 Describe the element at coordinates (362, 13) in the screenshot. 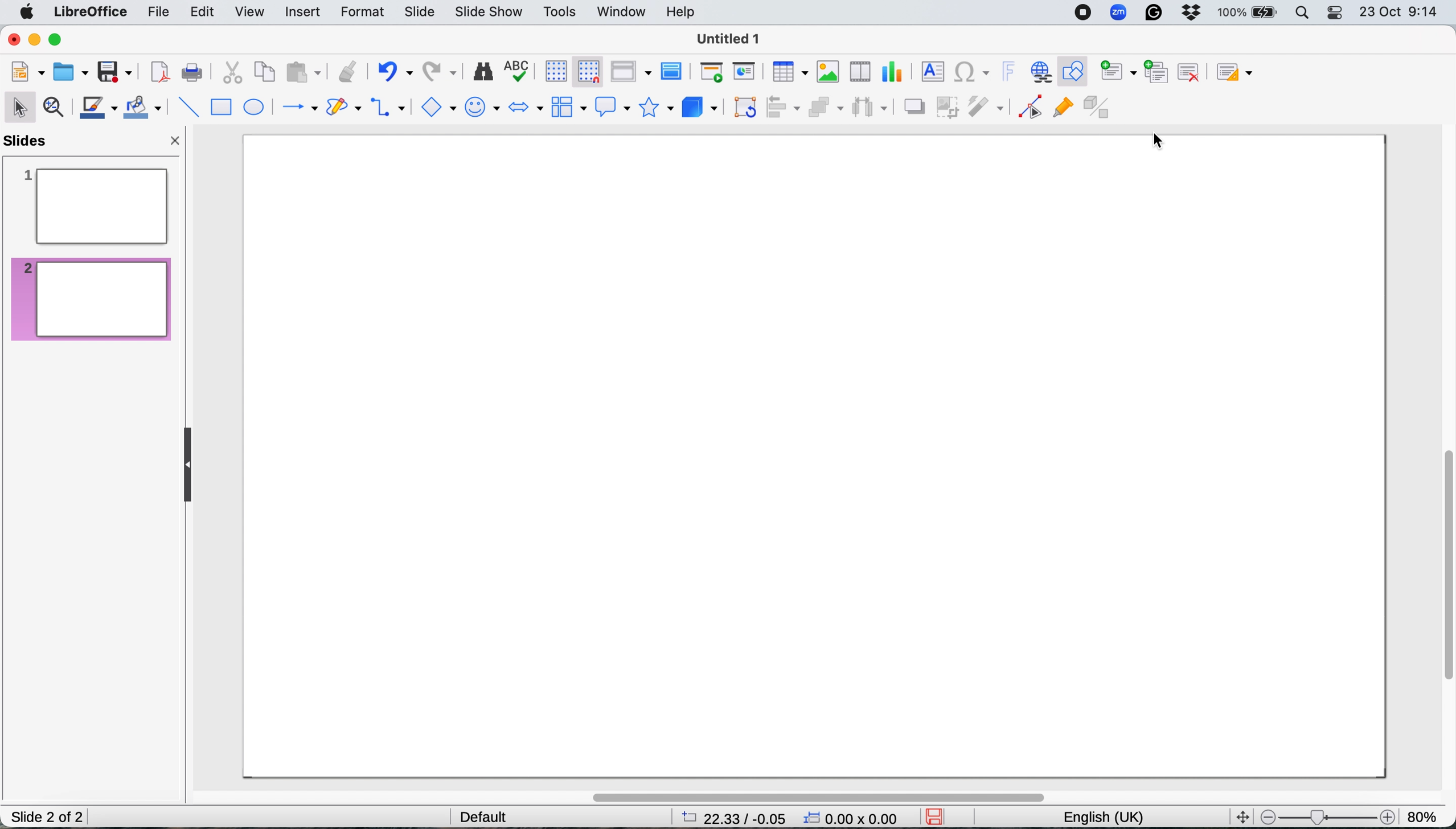

I see `format` at that location.